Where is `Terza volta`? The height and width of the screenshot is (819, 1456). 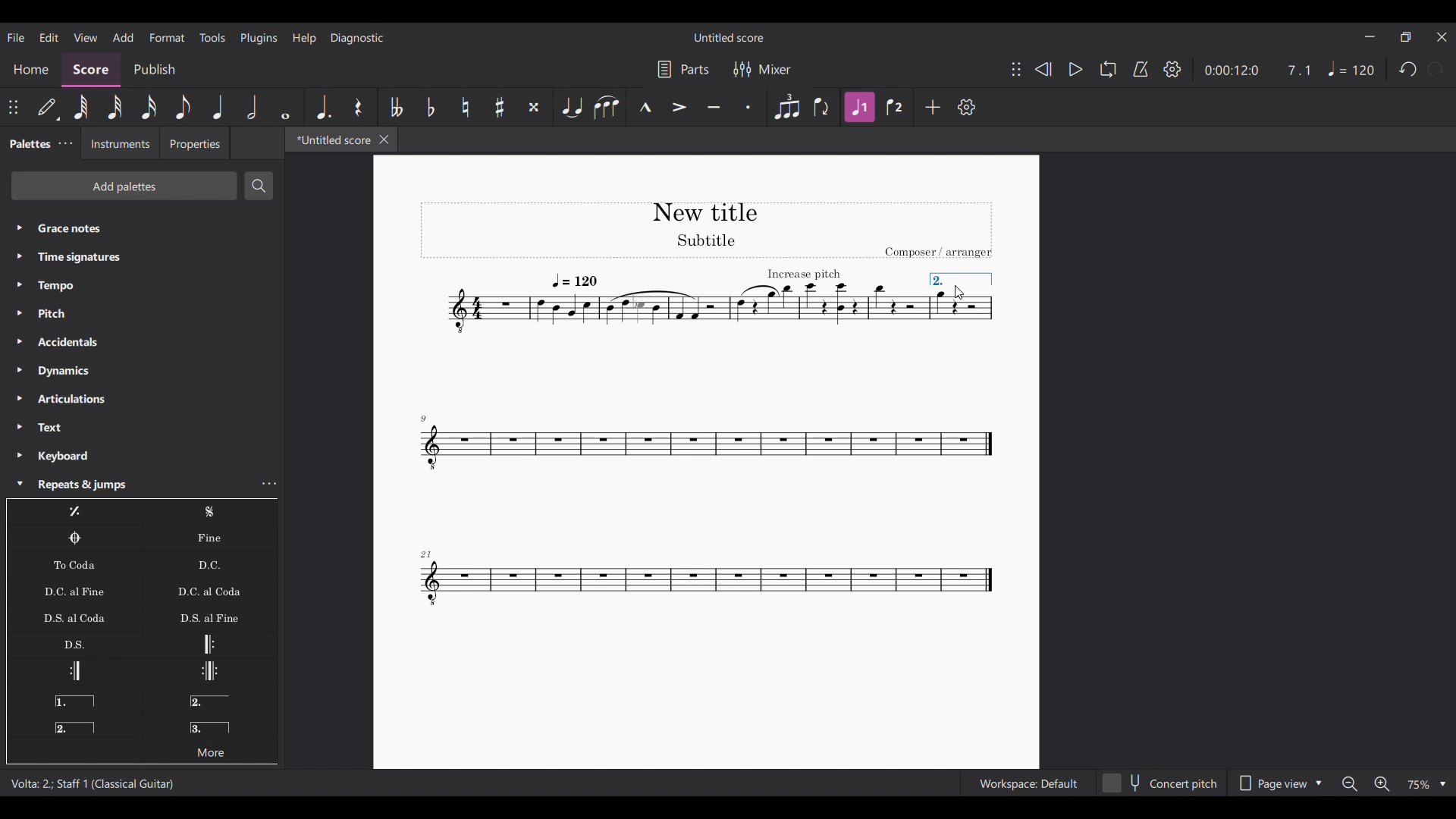
Terza volta is located at coordinates (210, 723).